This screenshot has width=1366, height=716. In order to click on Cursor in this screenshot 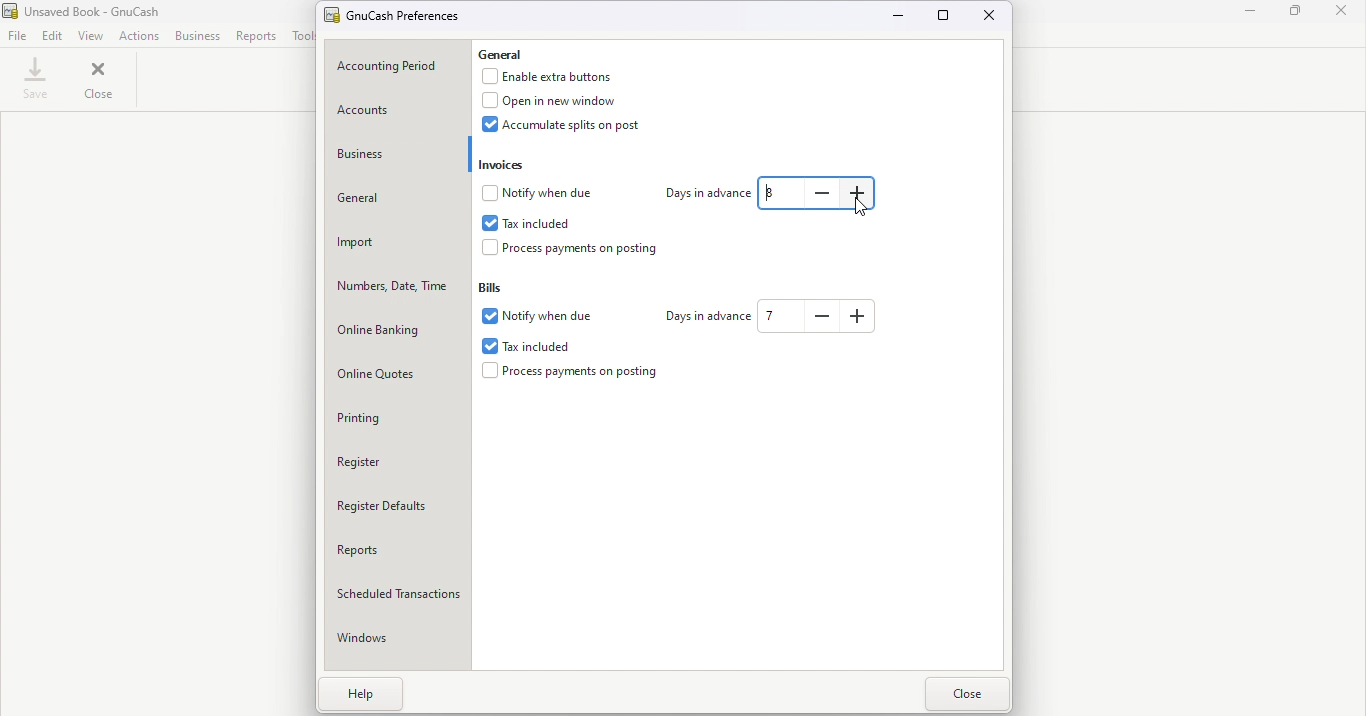, I will do `click(859, 210)`.